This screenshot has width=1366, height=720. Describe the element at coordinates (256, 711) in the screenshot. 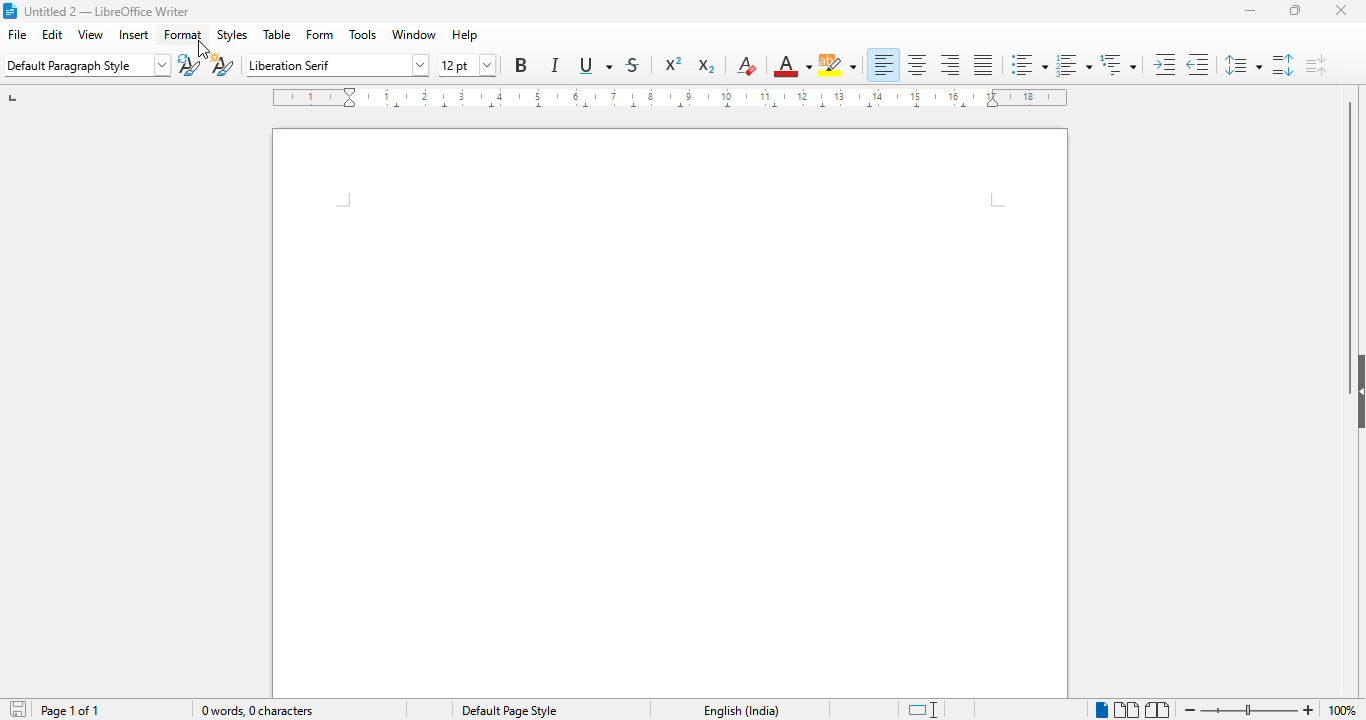

I see `0 words, 0 characters` at that location.